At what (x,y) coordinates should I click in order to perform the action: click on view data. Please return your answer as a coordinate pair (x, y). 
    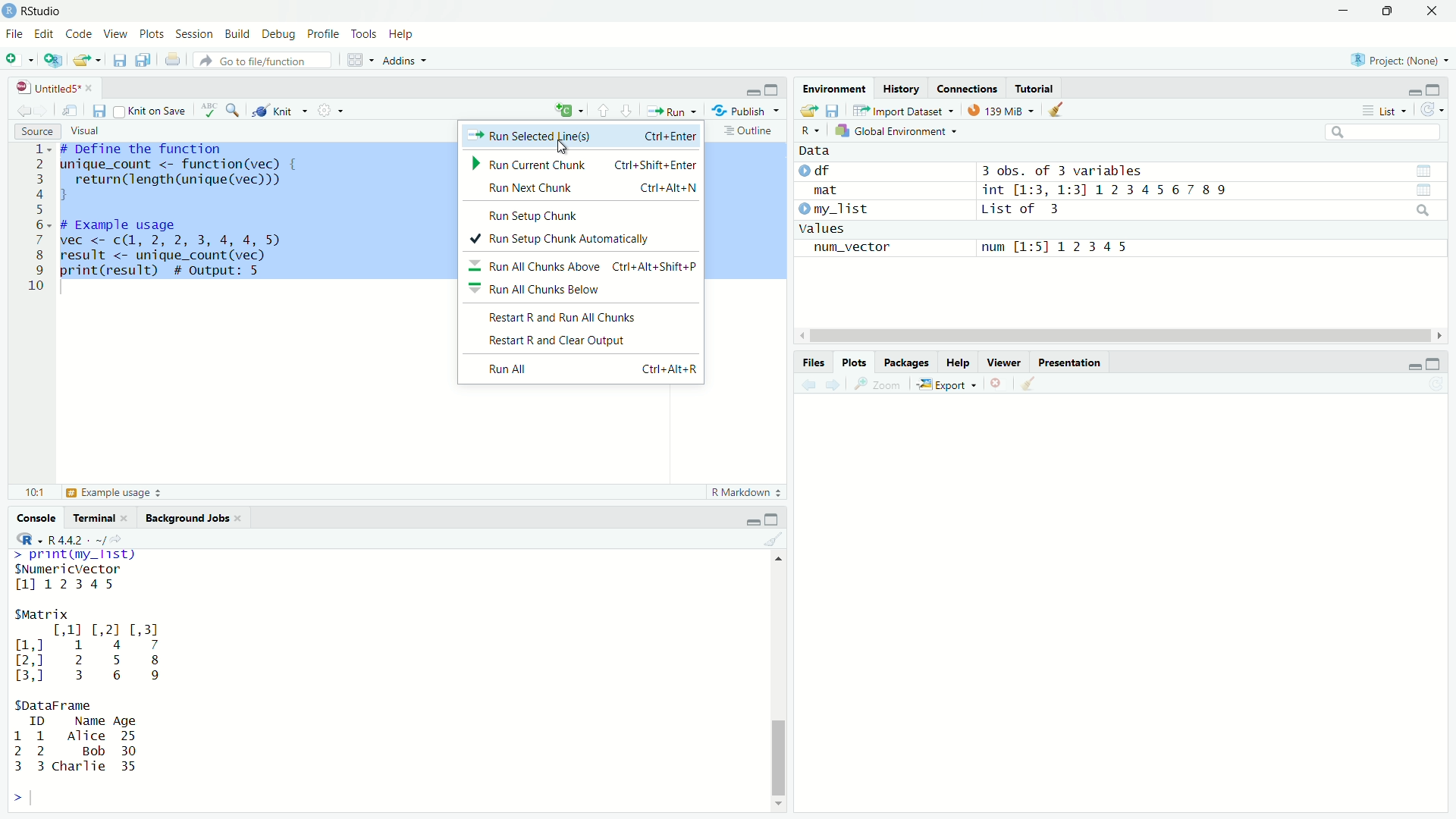
    Looking at the image, I should click on (1423, 170).